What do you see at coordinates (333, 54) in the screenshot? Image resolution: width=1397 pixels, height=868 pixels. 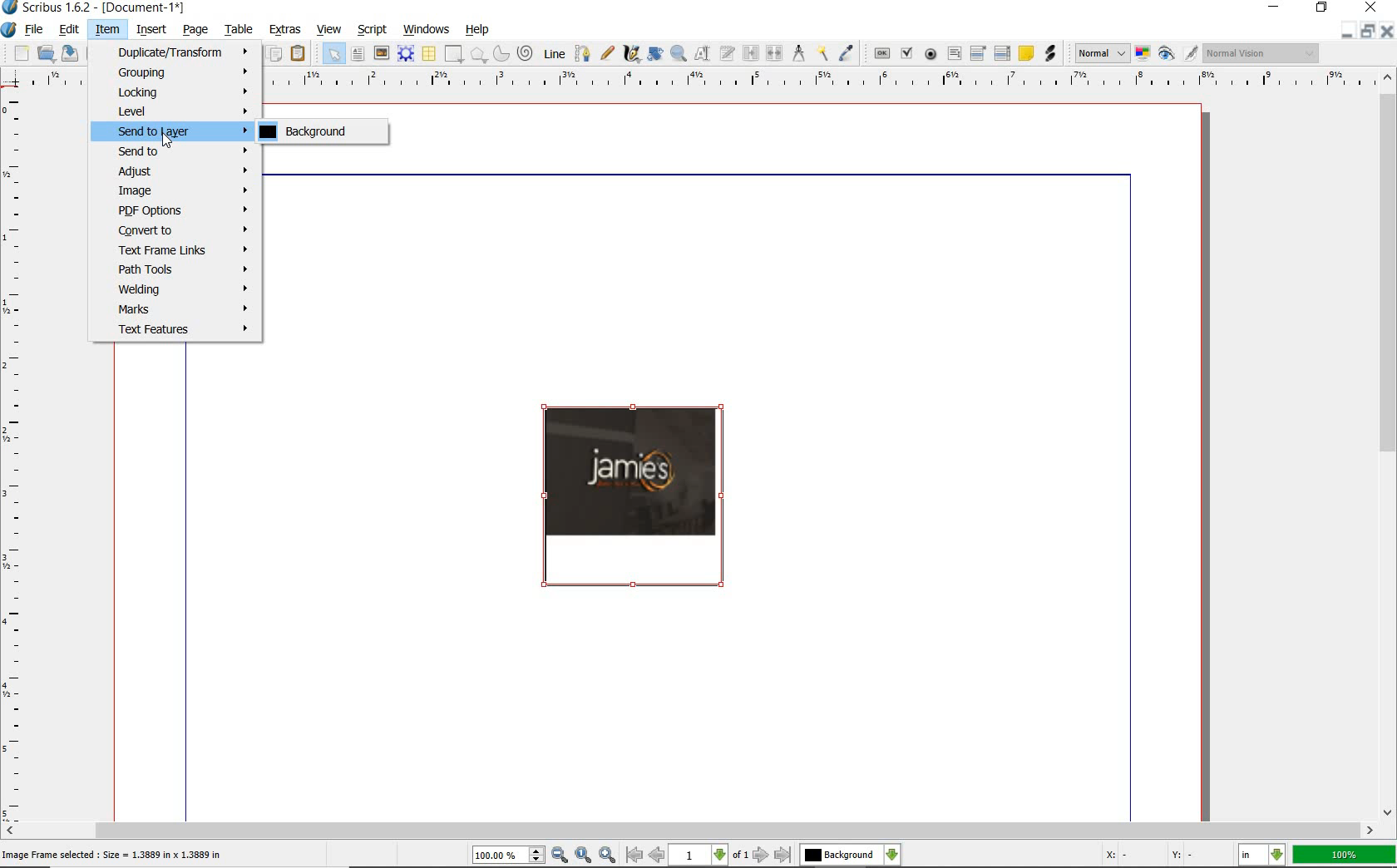 I see `select` at bounding box center [333, 54].